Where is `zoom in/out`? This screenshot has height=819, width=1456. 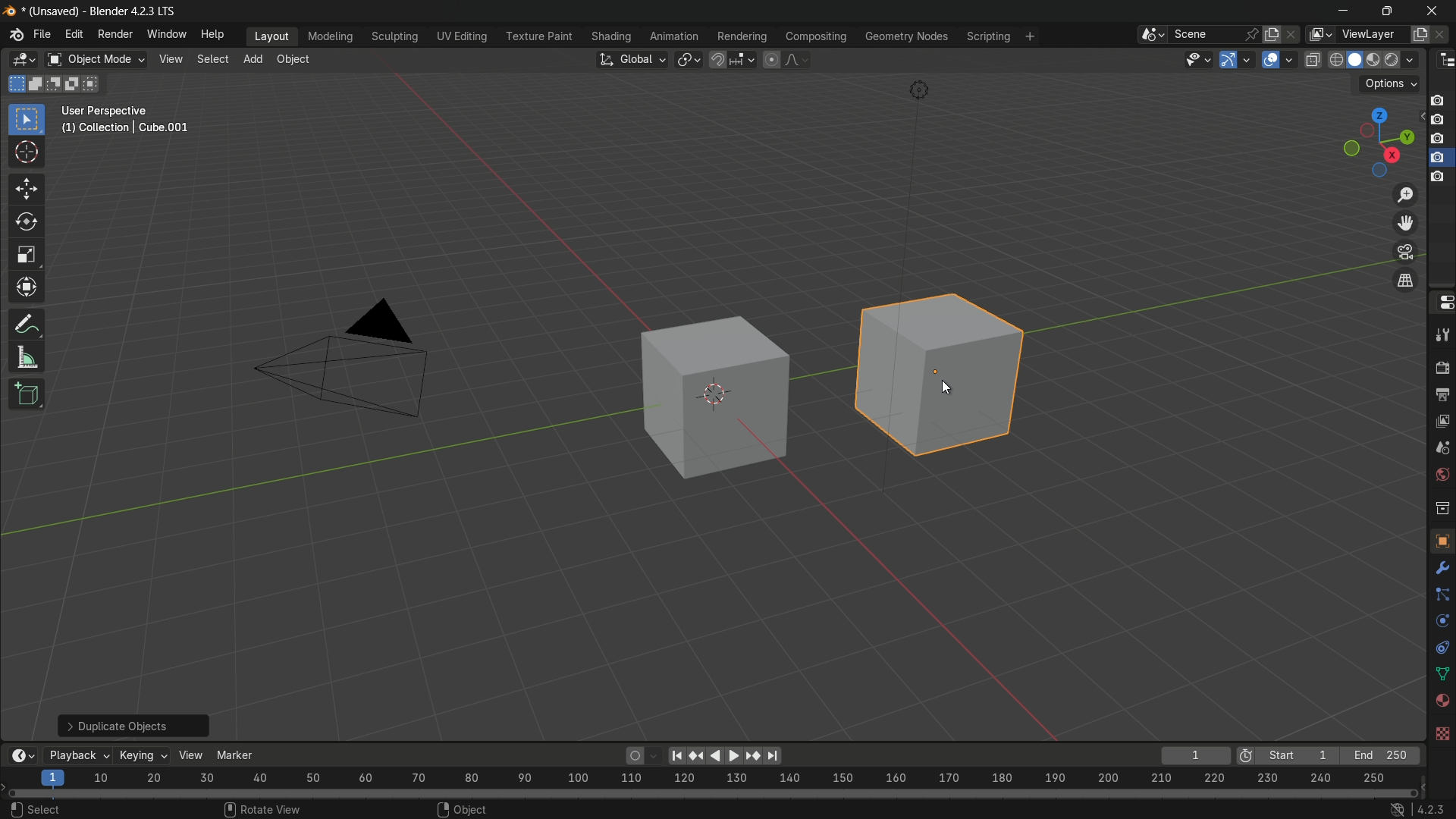
zoom in/out is located at coordinates (1407, 195).